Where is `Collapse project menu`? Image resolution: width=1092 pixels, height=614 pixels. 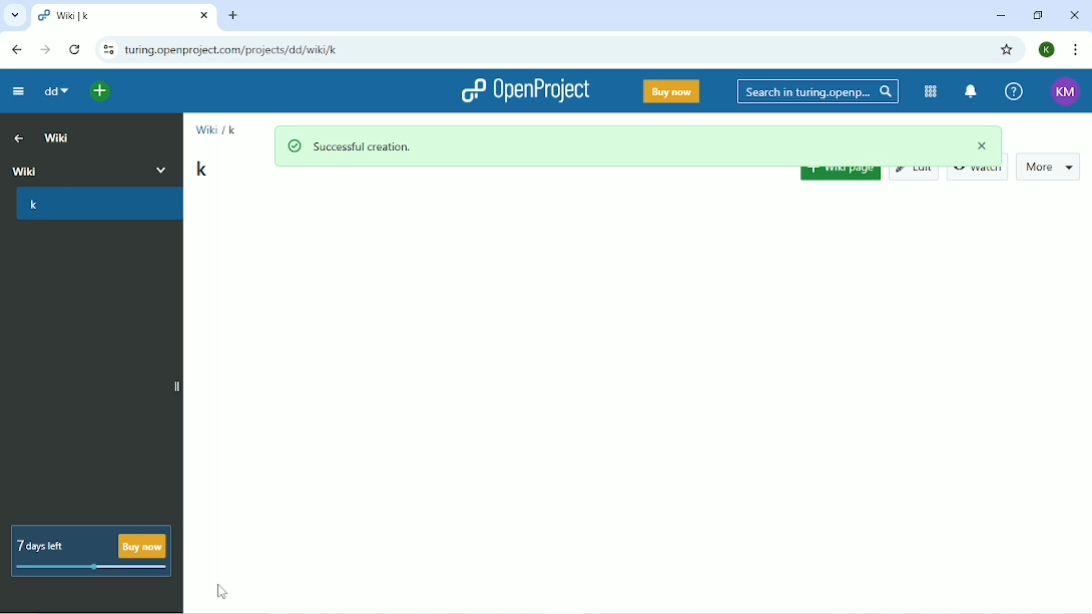 Collapse project menu is located at coordinates (17, 93).